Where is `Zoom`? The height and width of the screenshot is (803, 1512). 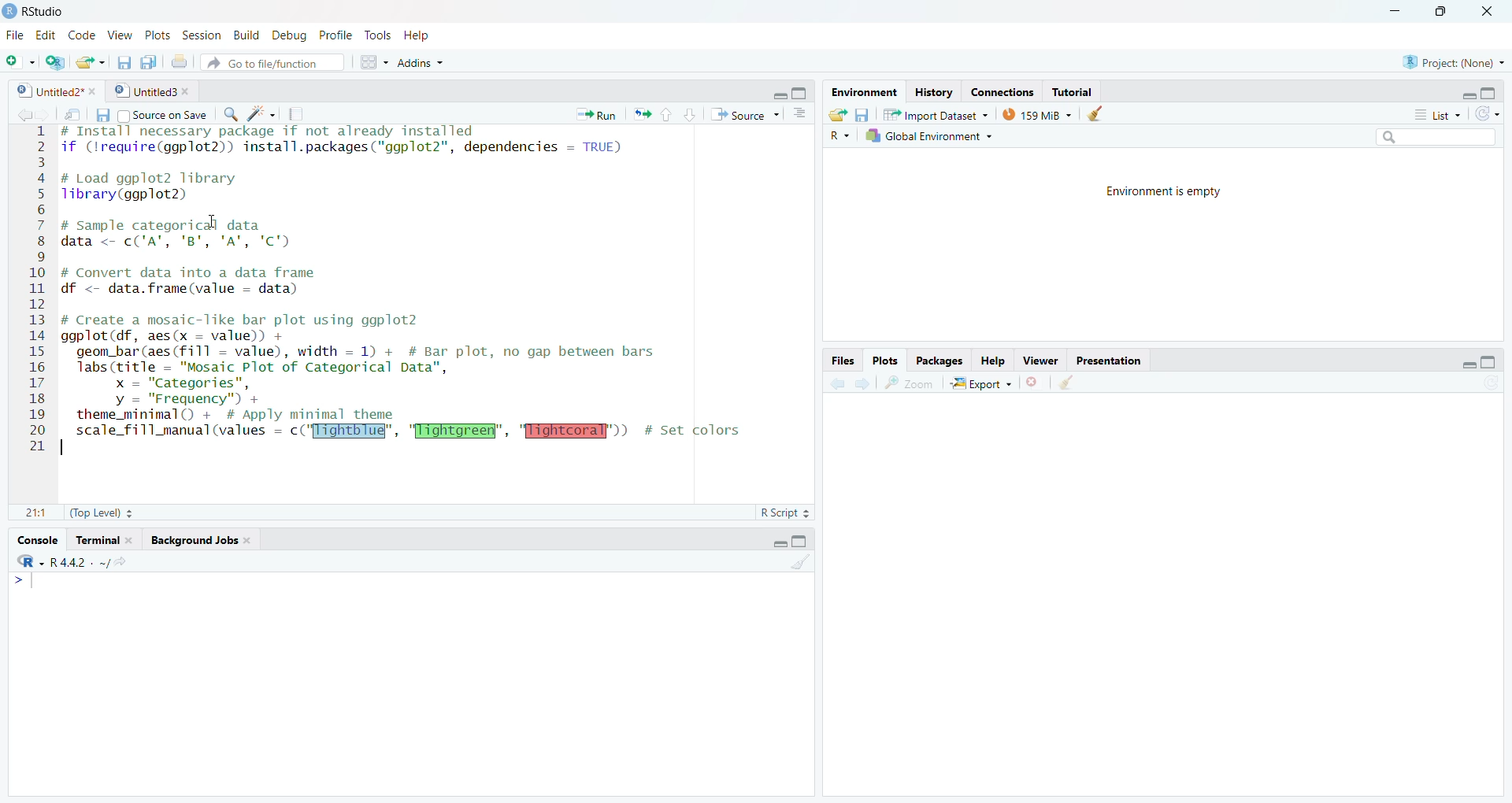
Zoom is located at coordinates (911, 383).